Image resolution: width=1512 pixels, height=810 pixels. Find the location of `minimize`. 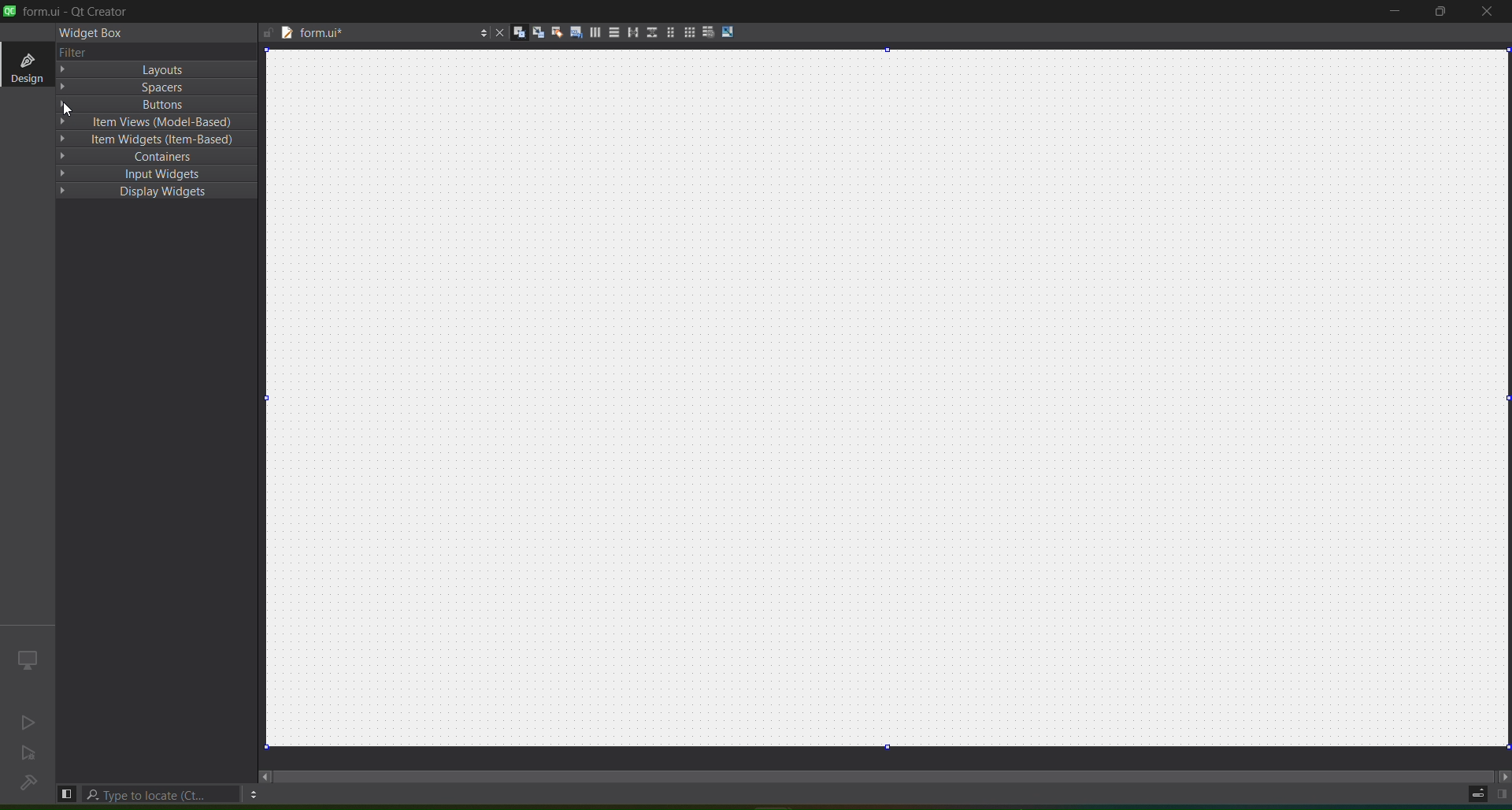

minimize is located at coordinates (1395, 13).